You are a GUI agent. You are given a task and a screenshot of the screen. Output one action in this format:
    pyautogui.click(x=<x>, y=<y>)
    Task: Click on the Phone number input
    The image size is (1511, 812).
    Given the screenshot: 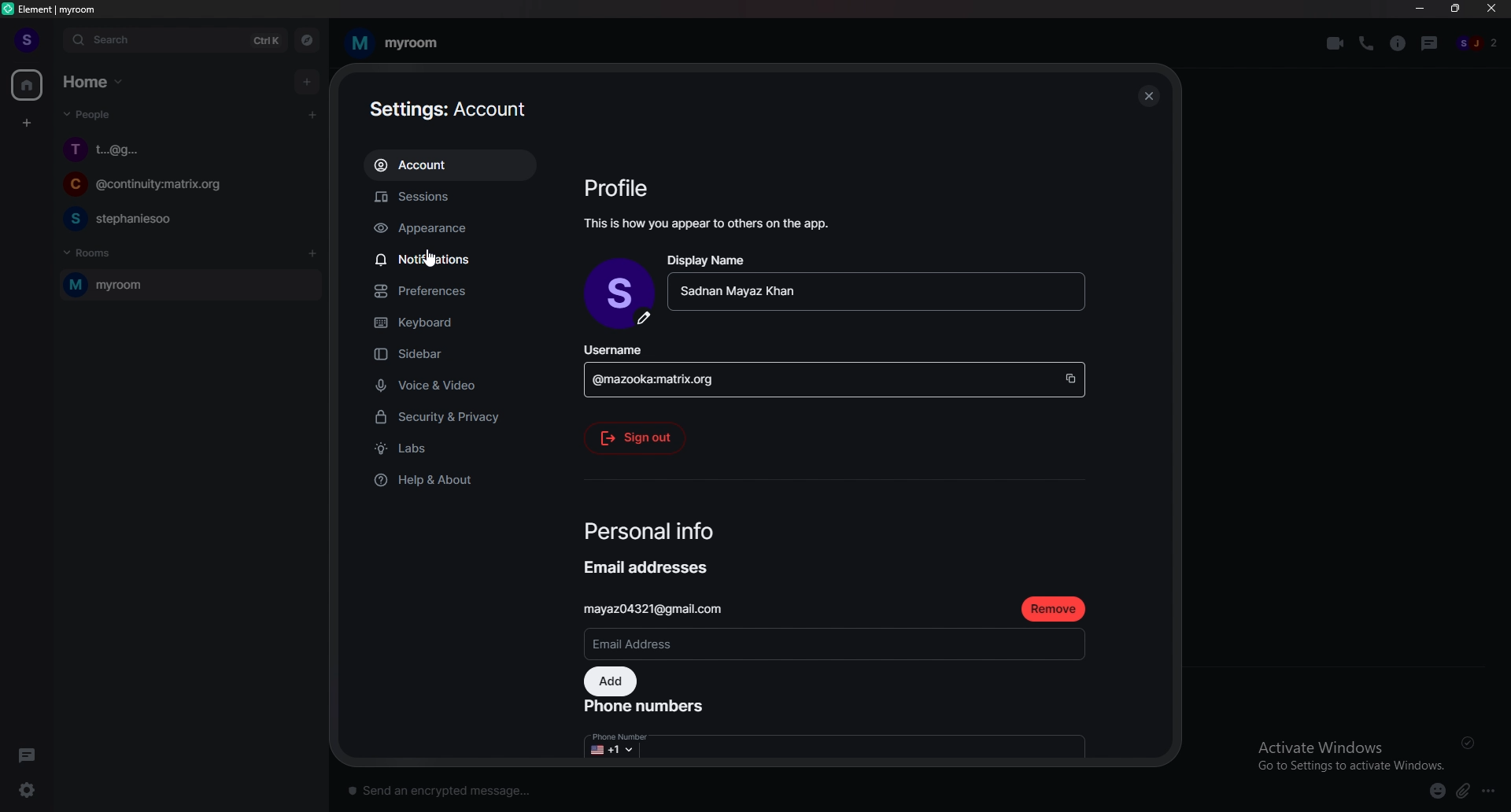 What is the action you would take?
    pyautogui.click(x=837, y=742)
    